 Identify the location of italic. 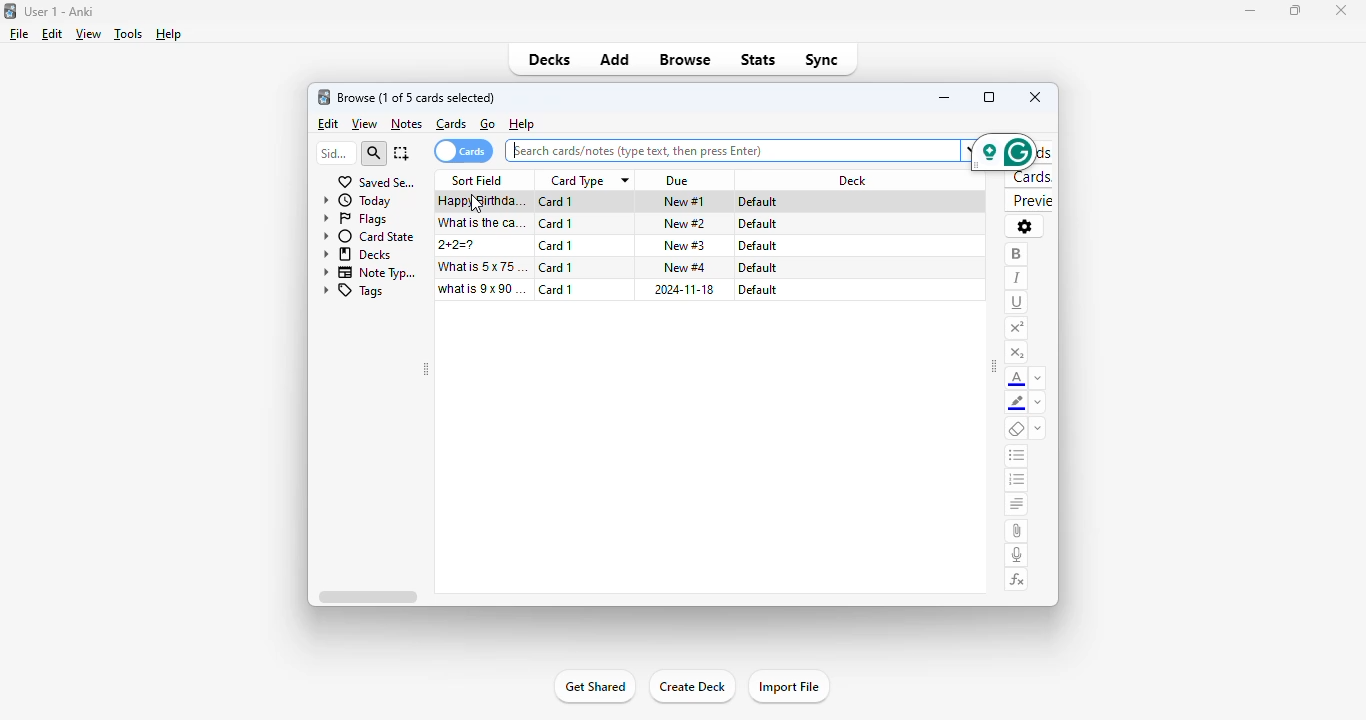
(1015, 279).